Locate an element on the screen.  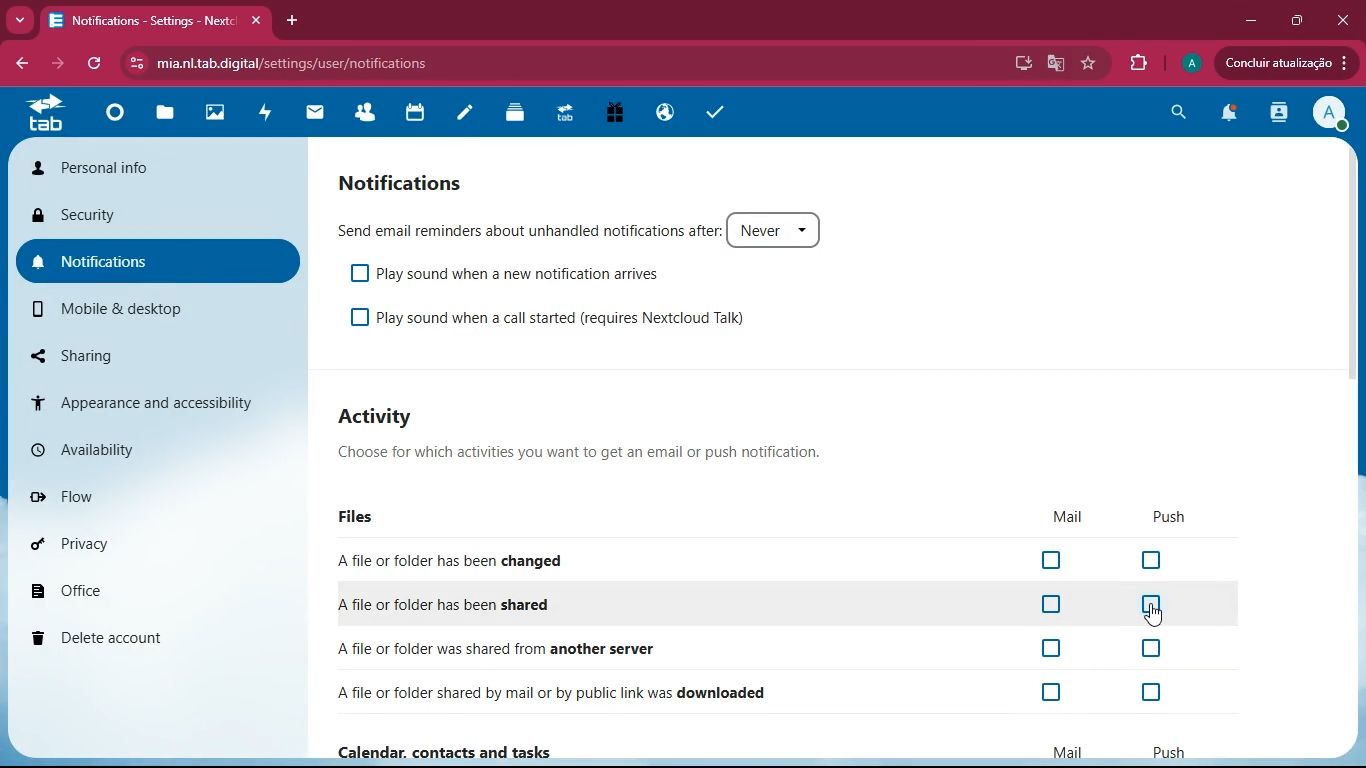
update is located at coordinates (1281, 63).